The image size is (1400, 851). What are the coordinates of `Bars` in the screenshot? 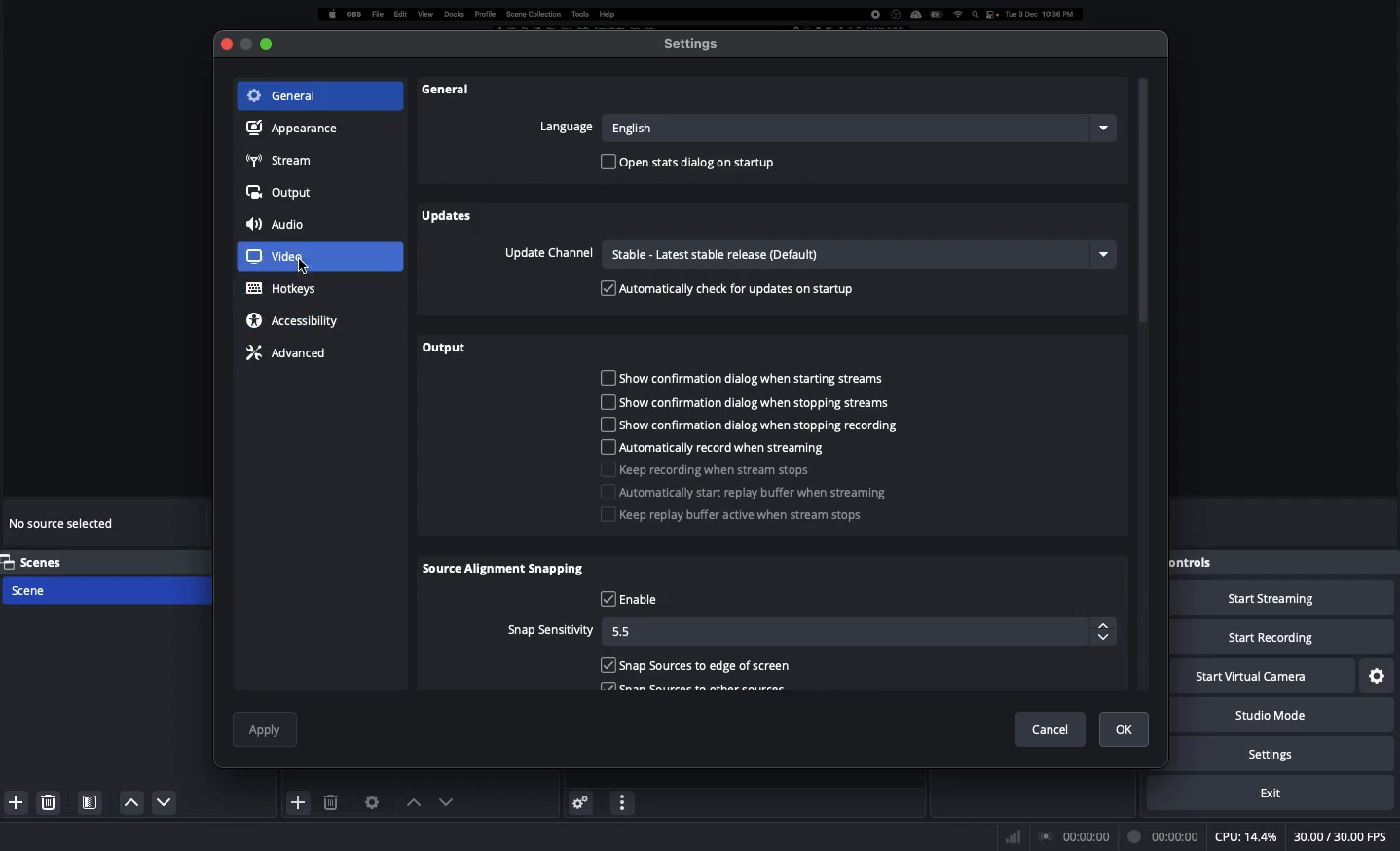 It's located at (1014, 834).